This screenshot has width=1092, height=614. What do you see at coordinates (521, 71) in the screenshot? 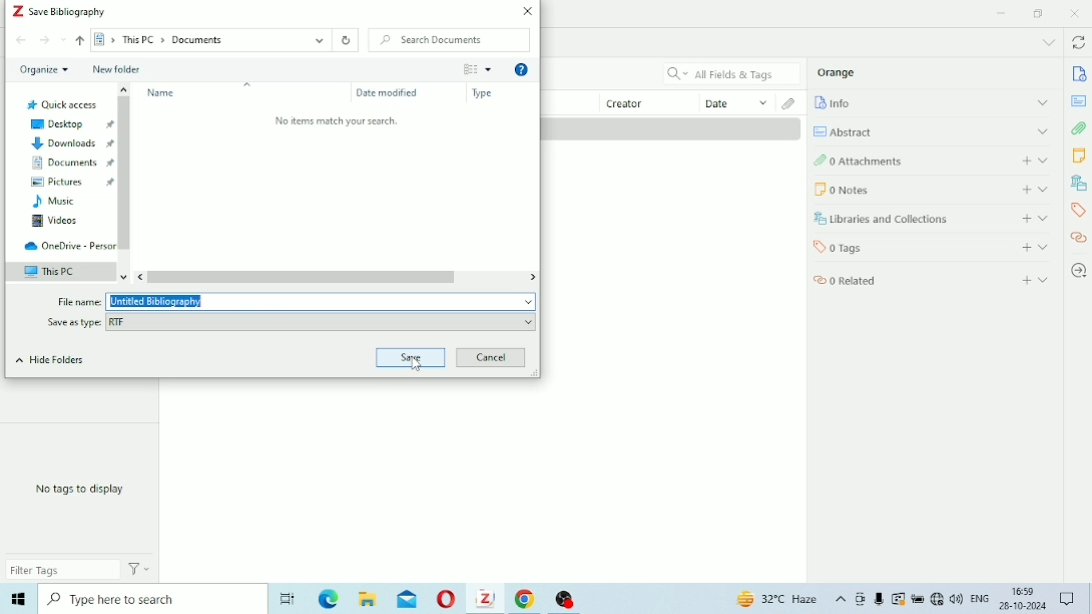
I see `Get Help` at bounding box center [521, 71].